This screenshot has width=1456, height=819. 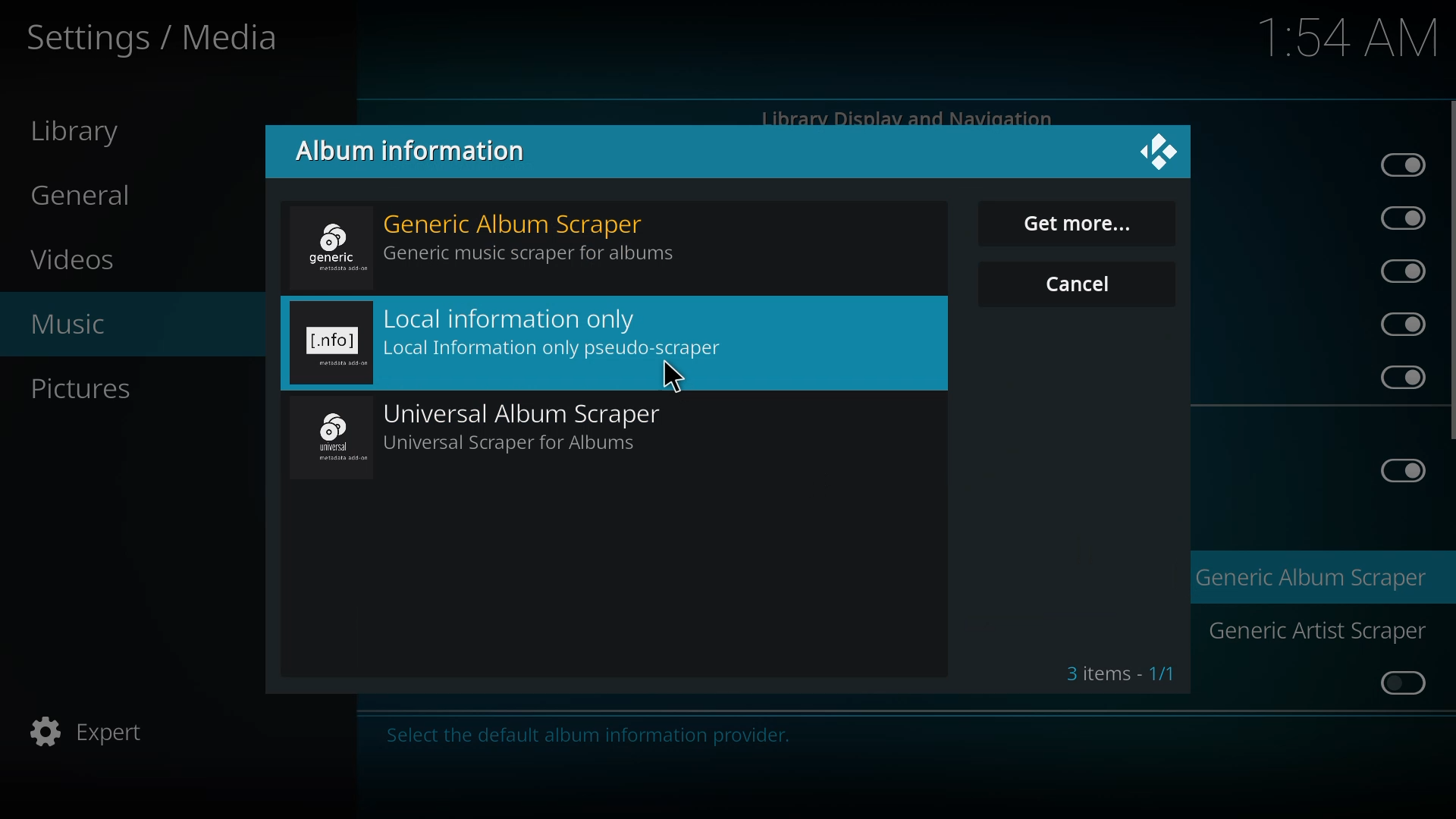 What do you see at coordinates (1395, 218) in the screenshot?
I see `enabled` at bounding box center [1395, 218].